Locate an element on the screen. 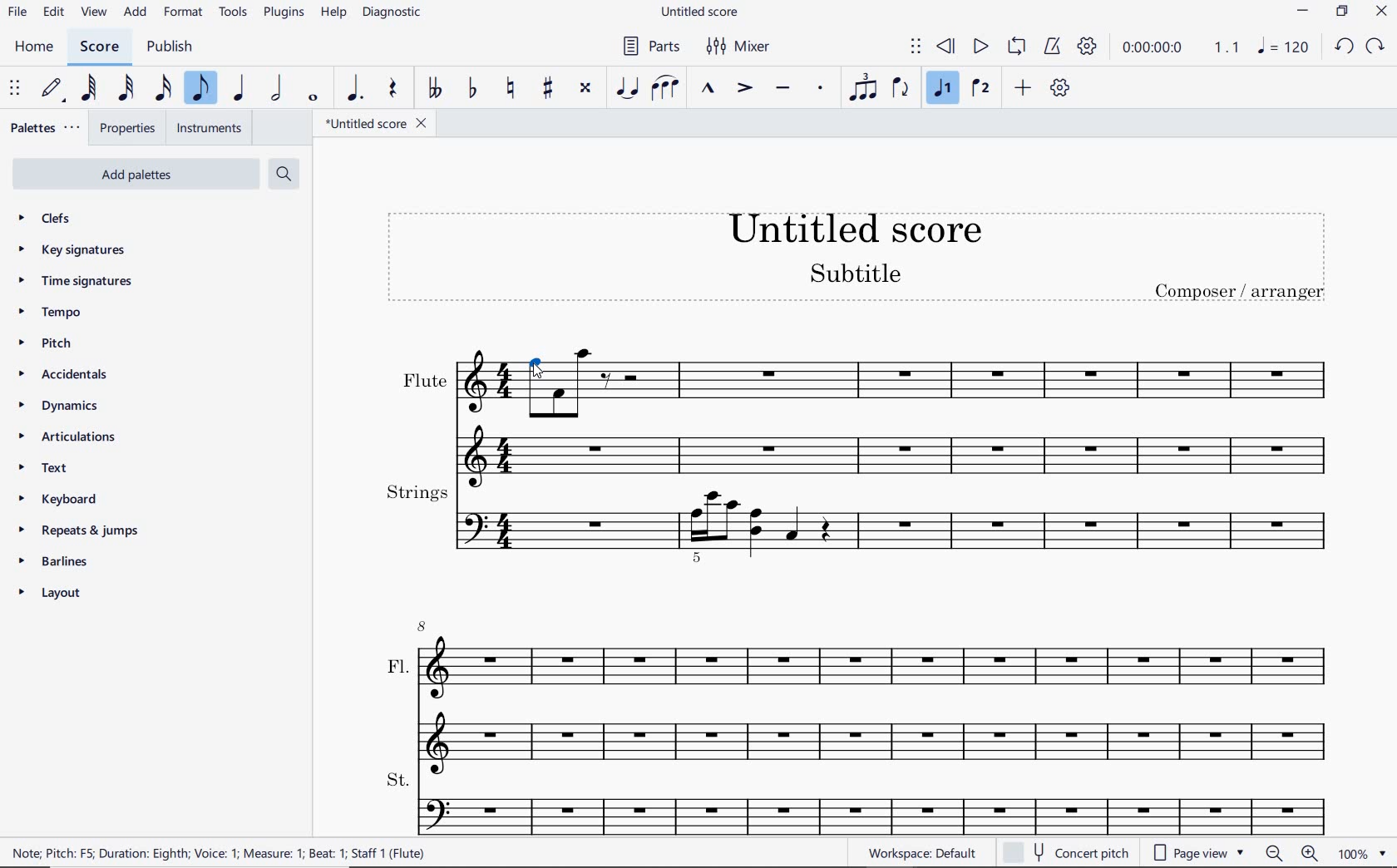 The image size is (1397, 868). MARCATO is located at coordinates (709, 89).